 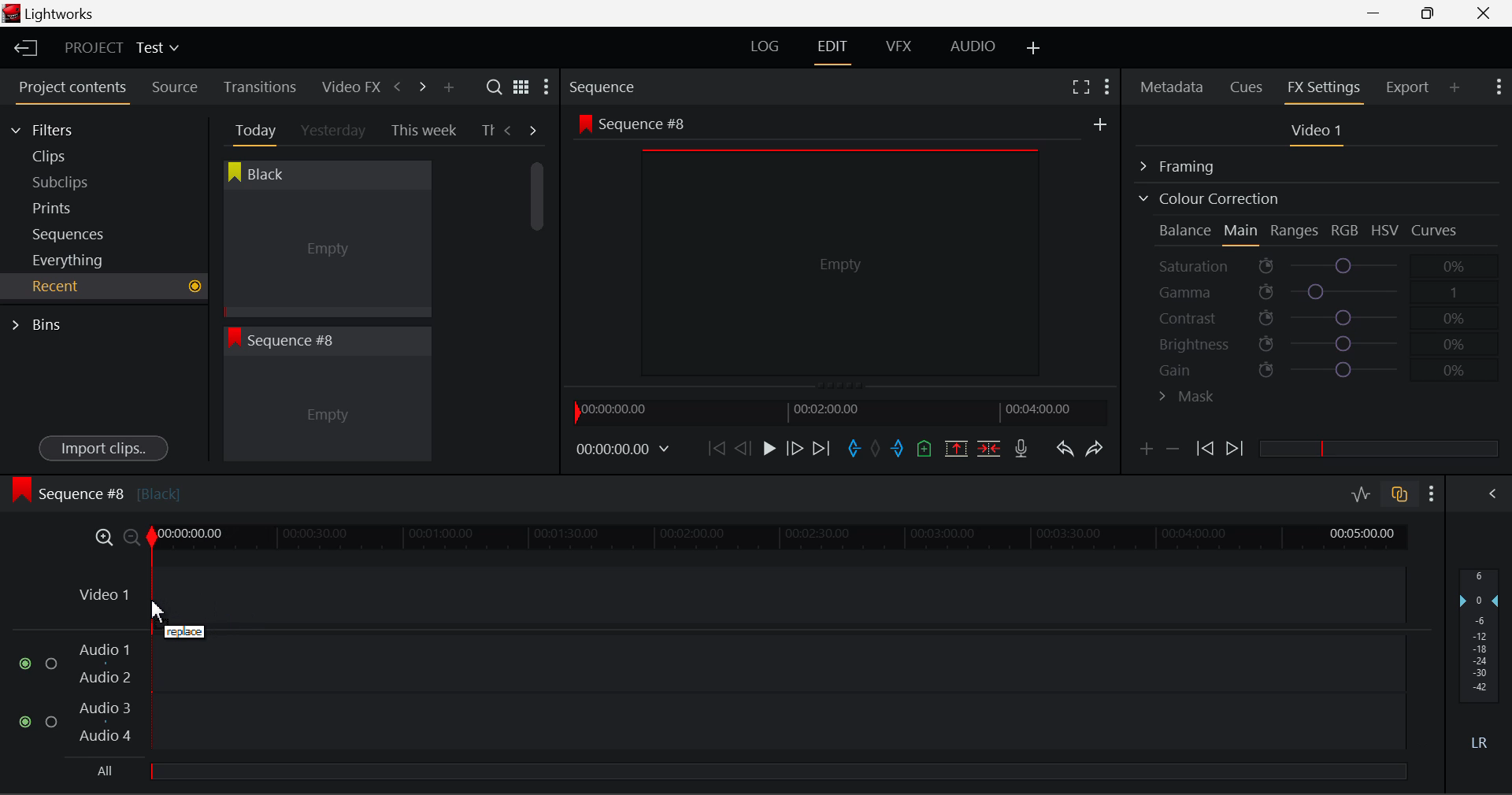 I want to click on Sequence Preview Section, so click(x=606, y=88).